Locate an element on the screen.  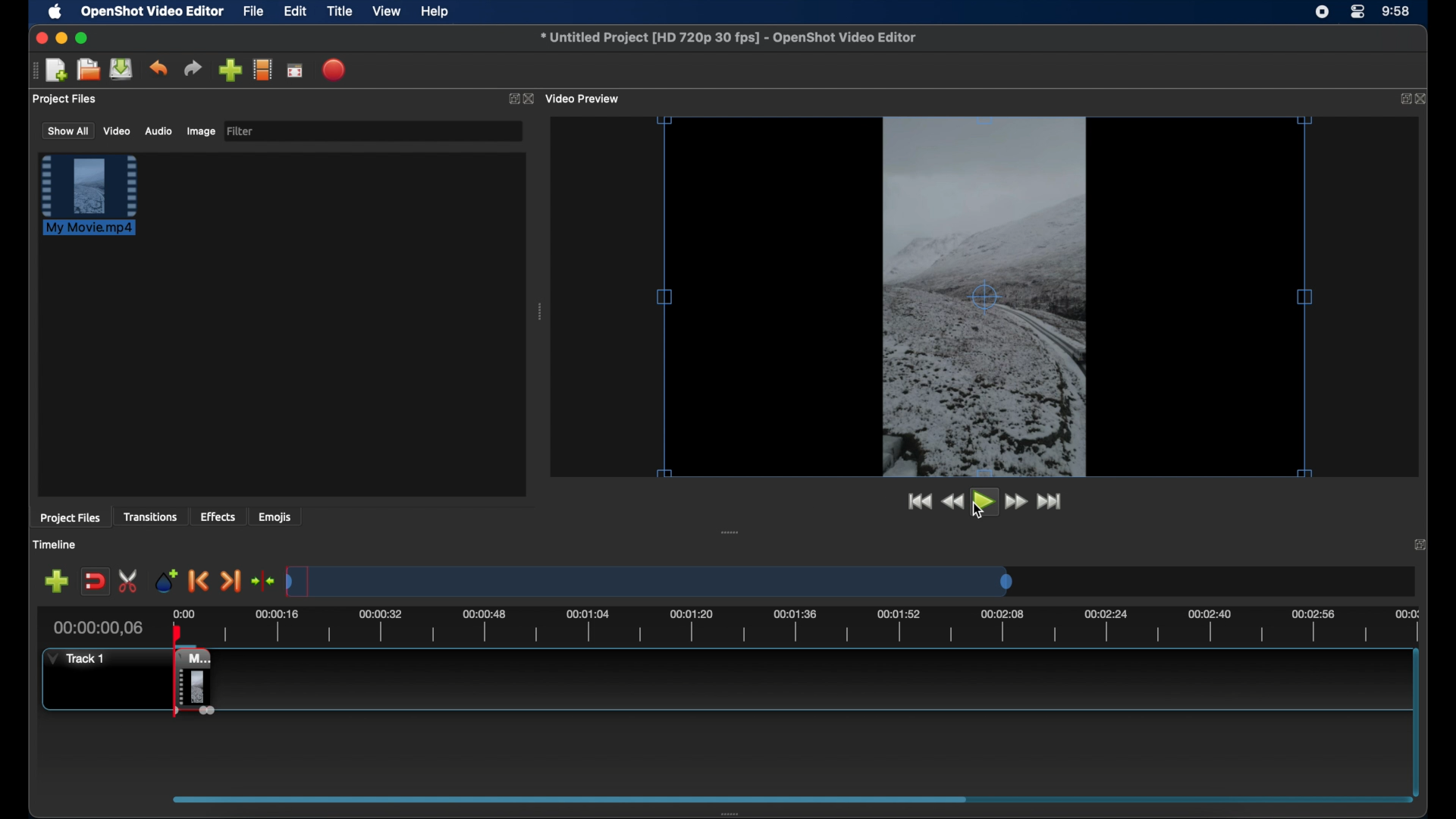
current time indicator is located at coordinates (99, 628).